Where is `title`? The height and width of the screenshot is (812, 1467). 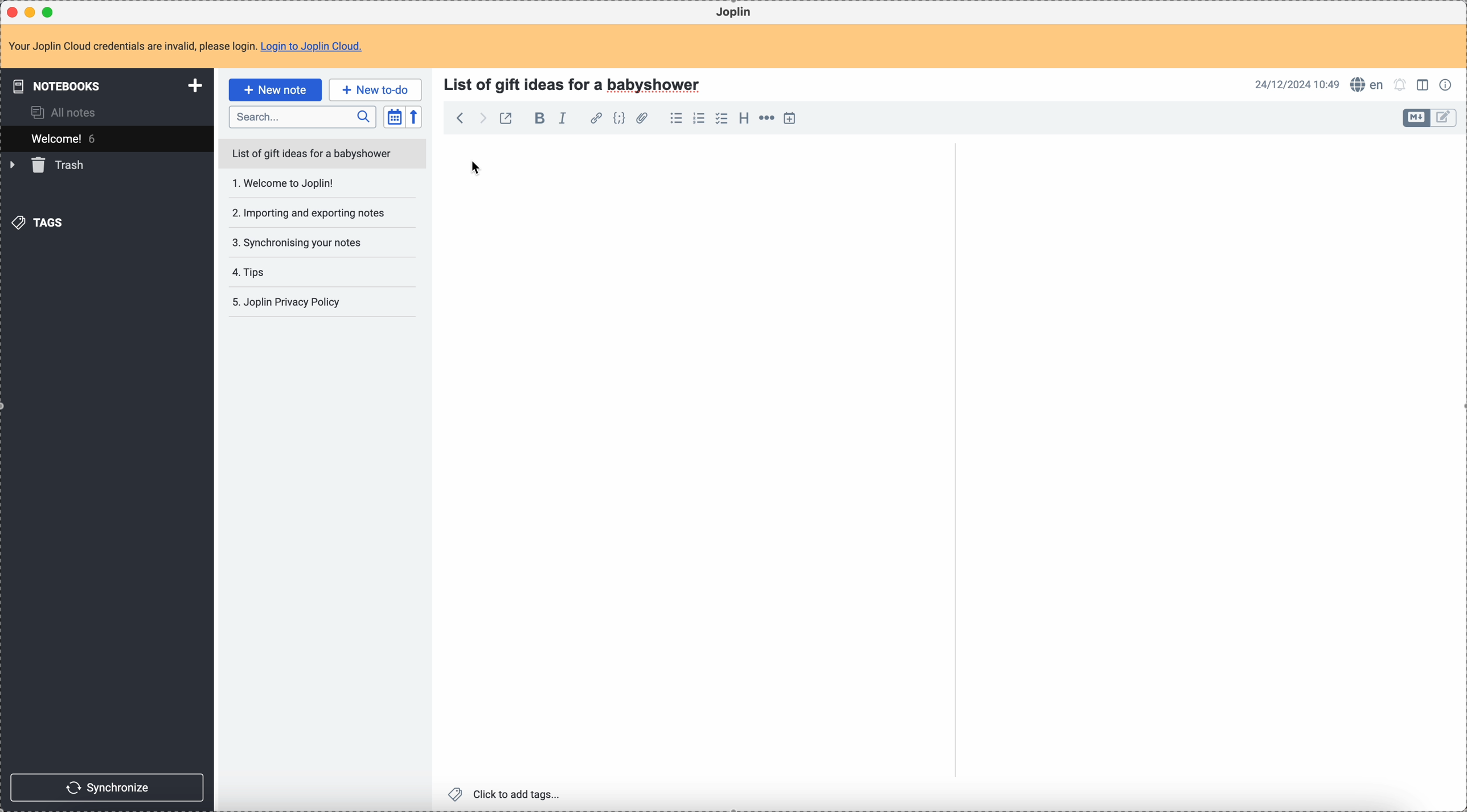 title is located at coordinates (575, 83).